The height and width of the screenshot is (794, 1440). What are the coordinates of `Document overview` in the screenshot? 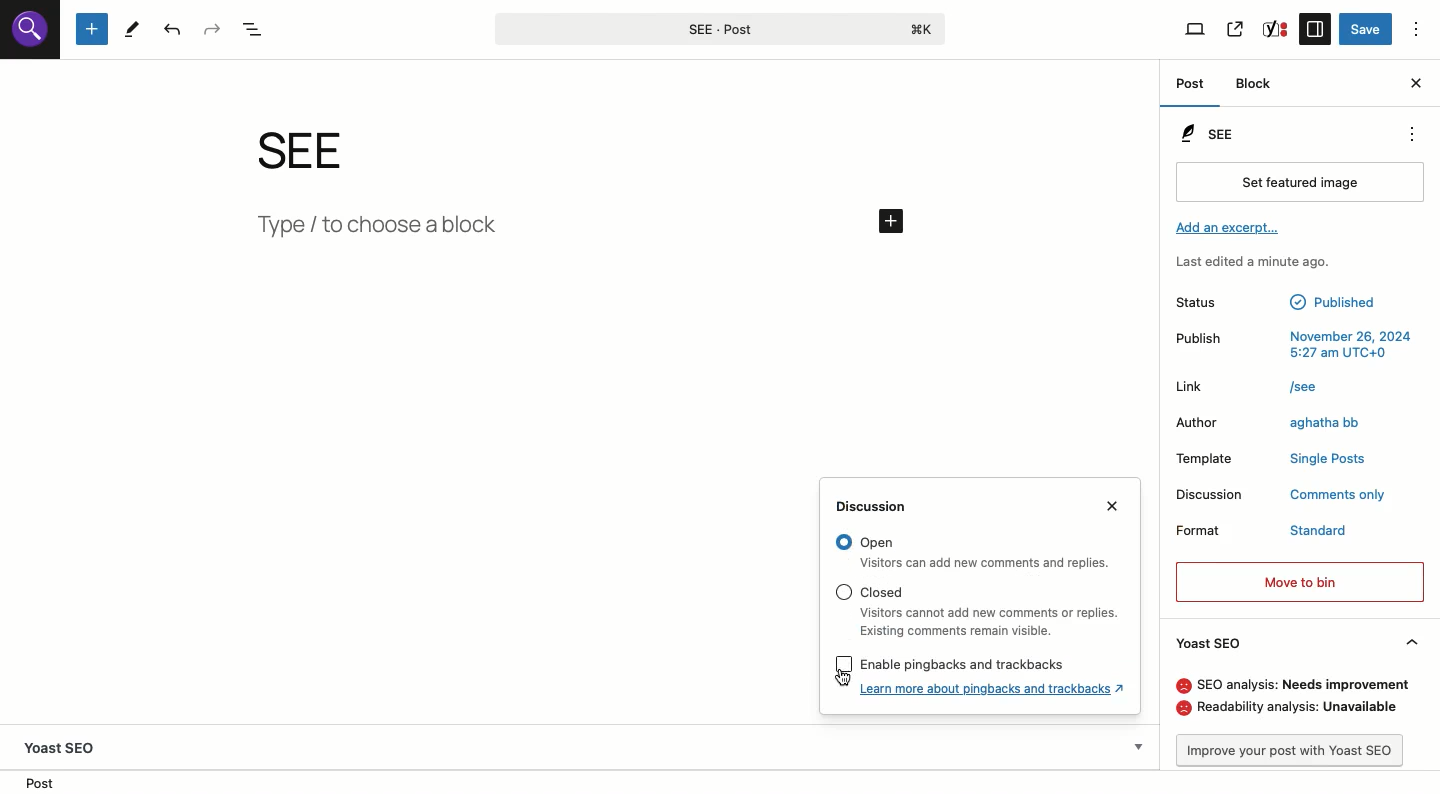 It's located at (256, 28).